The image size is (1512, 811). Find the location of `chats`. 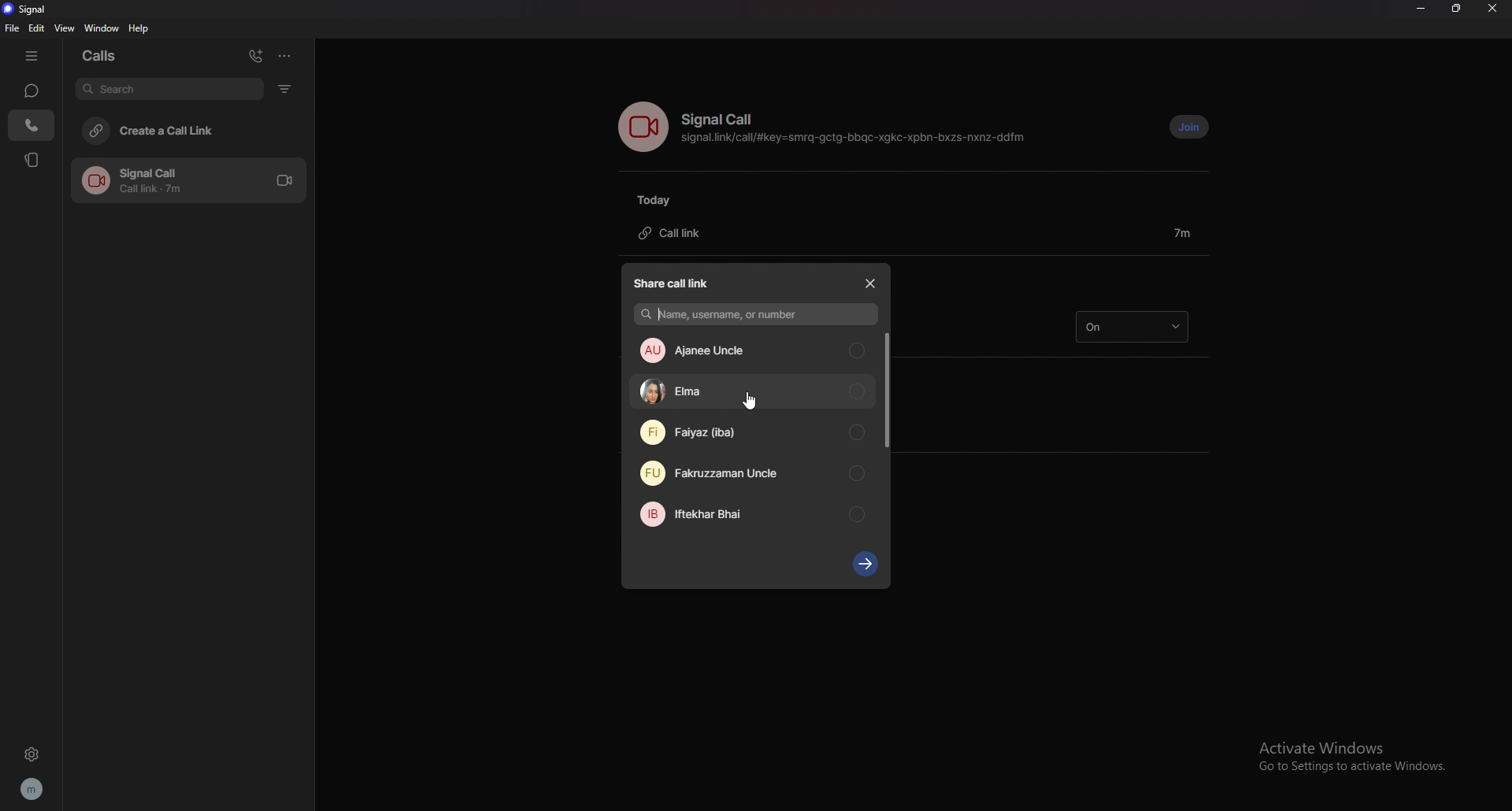

chats is located at coordinates (32, 91).